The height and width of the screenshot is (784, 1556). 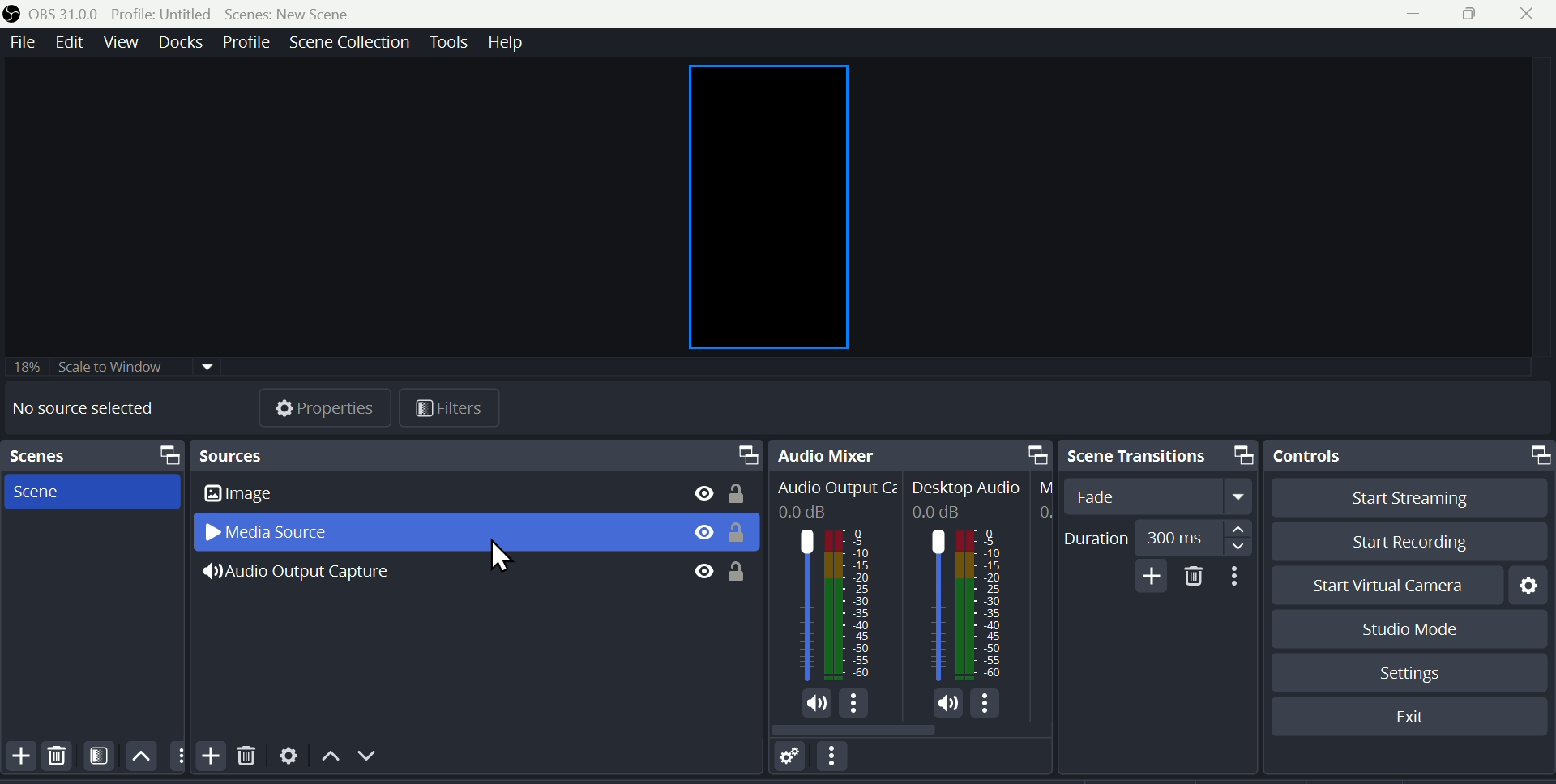 What do you see at coordinates (477, 455) in the screenshot?
I see `Source` at bounding box center [477, 455].